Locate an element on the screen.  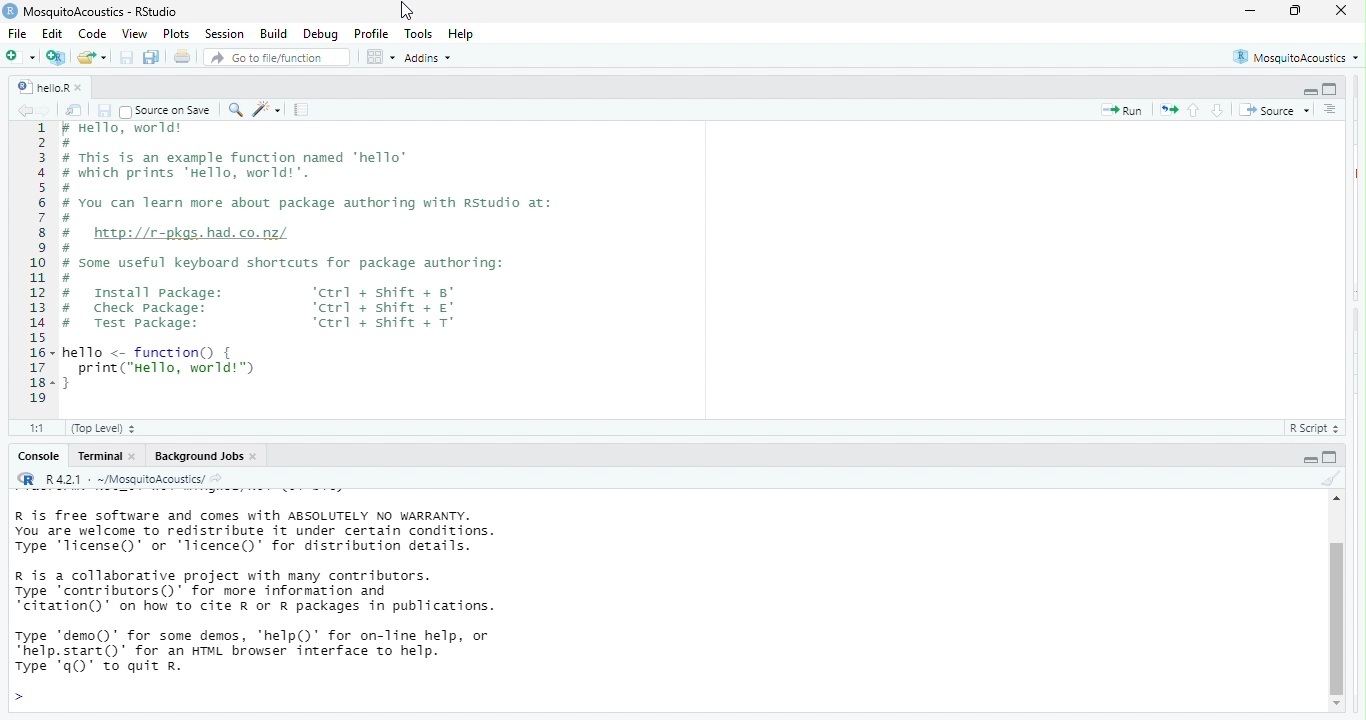
show document outline is located at coordinates (1329, 109).